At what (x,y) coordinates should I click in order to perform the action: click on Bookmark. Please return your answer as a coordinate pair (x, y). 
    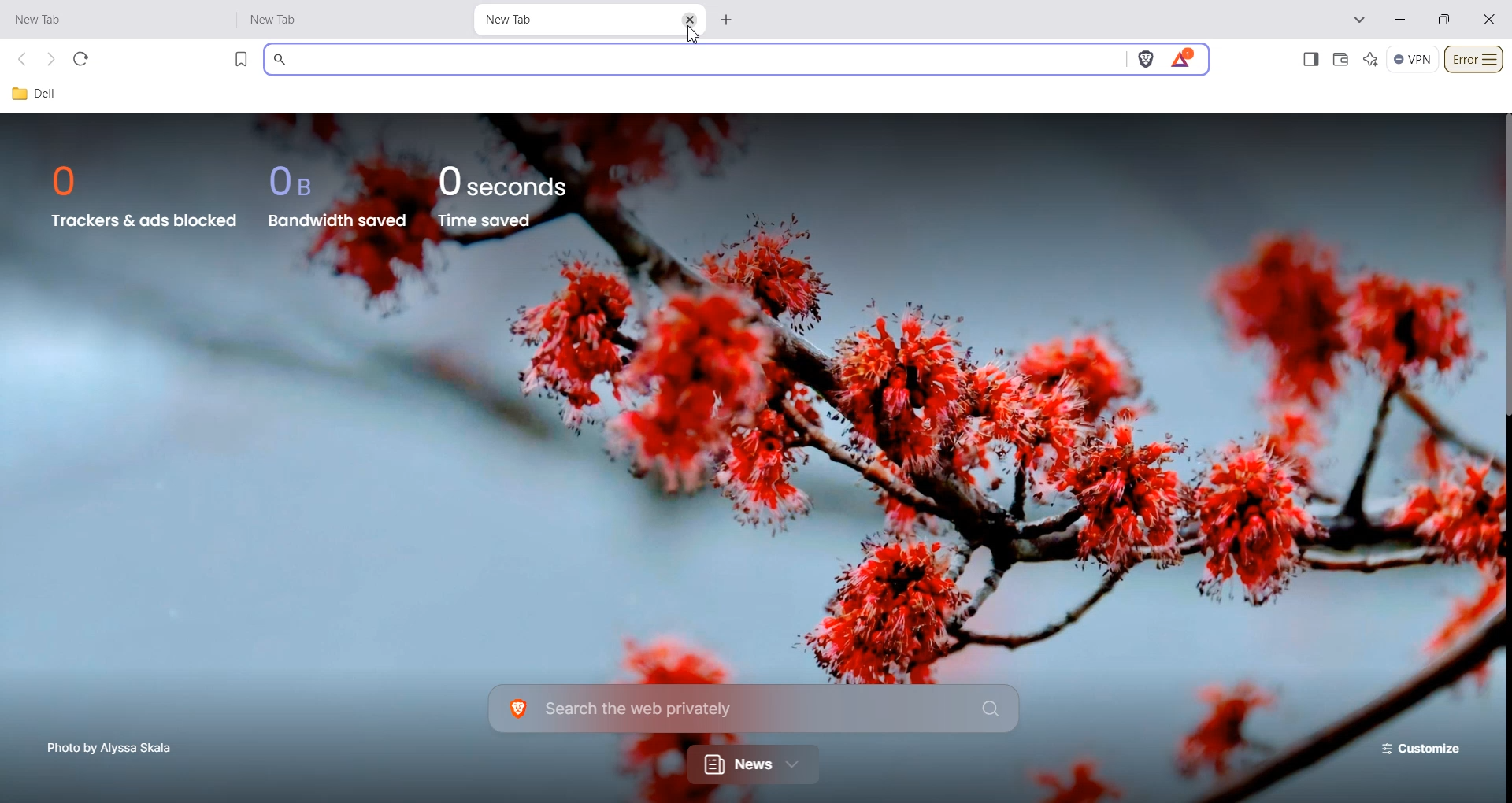
    Looking at the image, I should click on (242, 59).